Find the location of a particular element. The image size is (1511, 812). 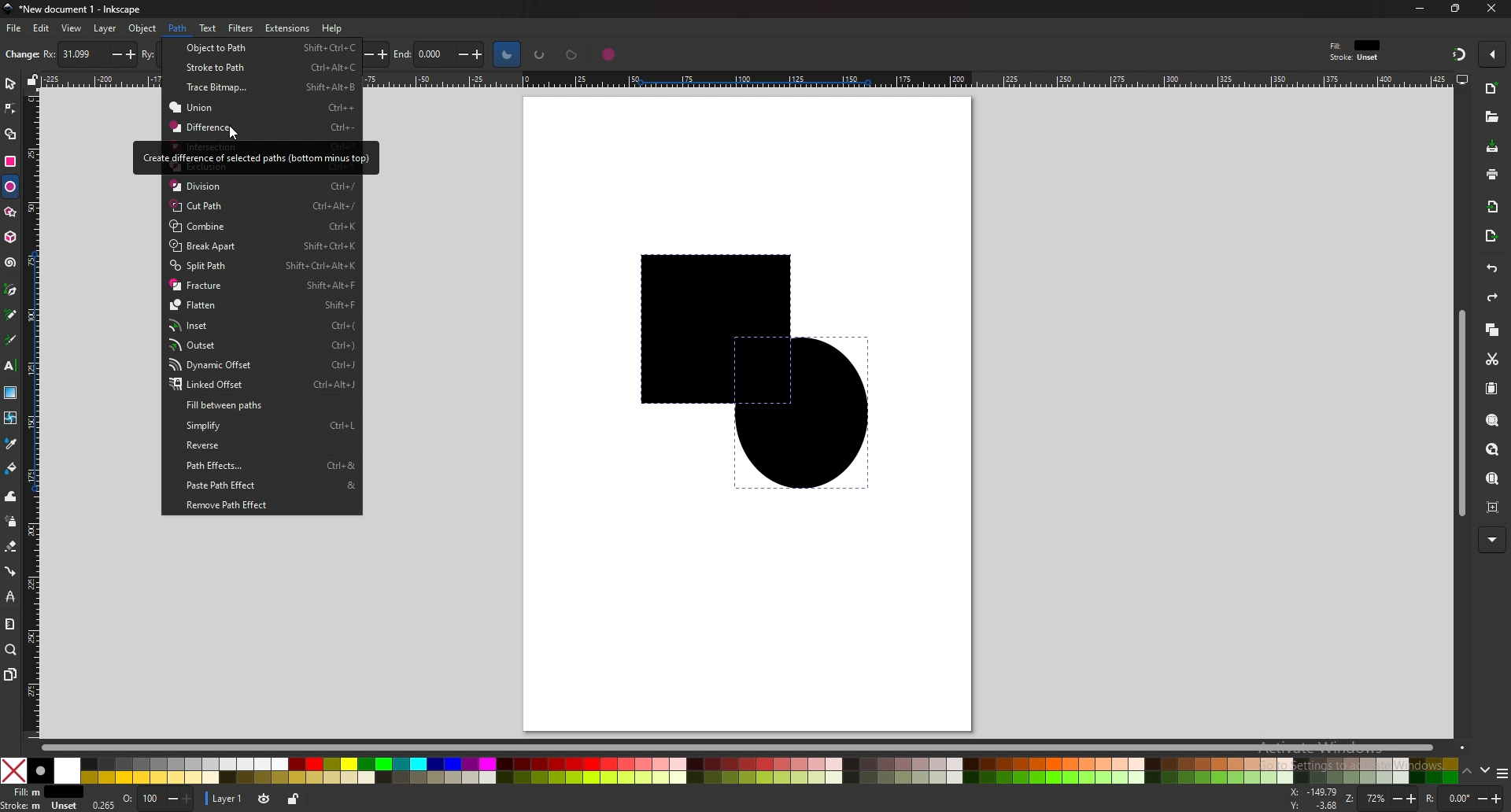

Fracture is located at coordinates (261, 285).